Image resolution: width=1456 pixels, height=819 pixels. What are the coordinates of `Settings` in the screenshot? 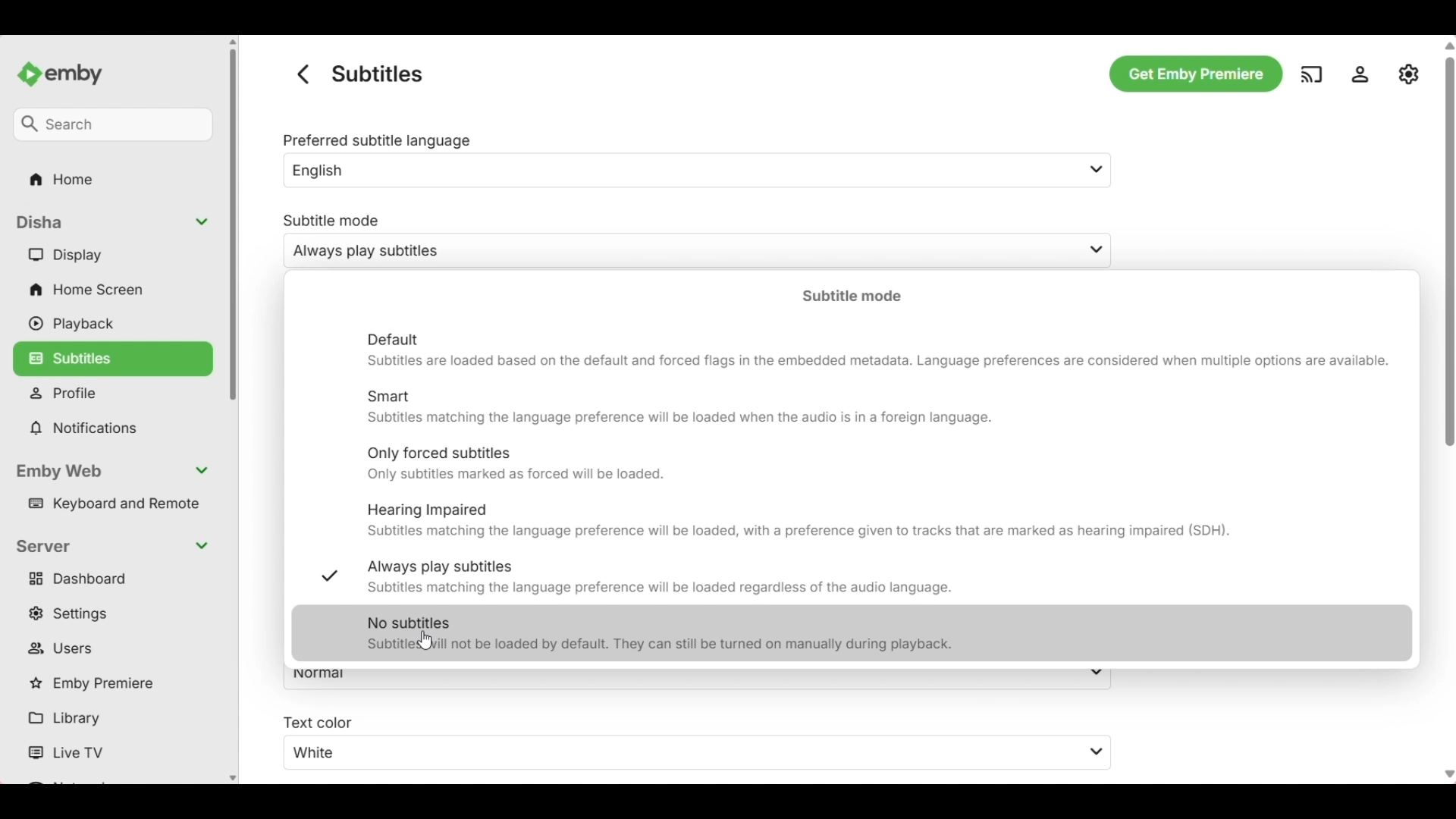 It's located at (116, 613).